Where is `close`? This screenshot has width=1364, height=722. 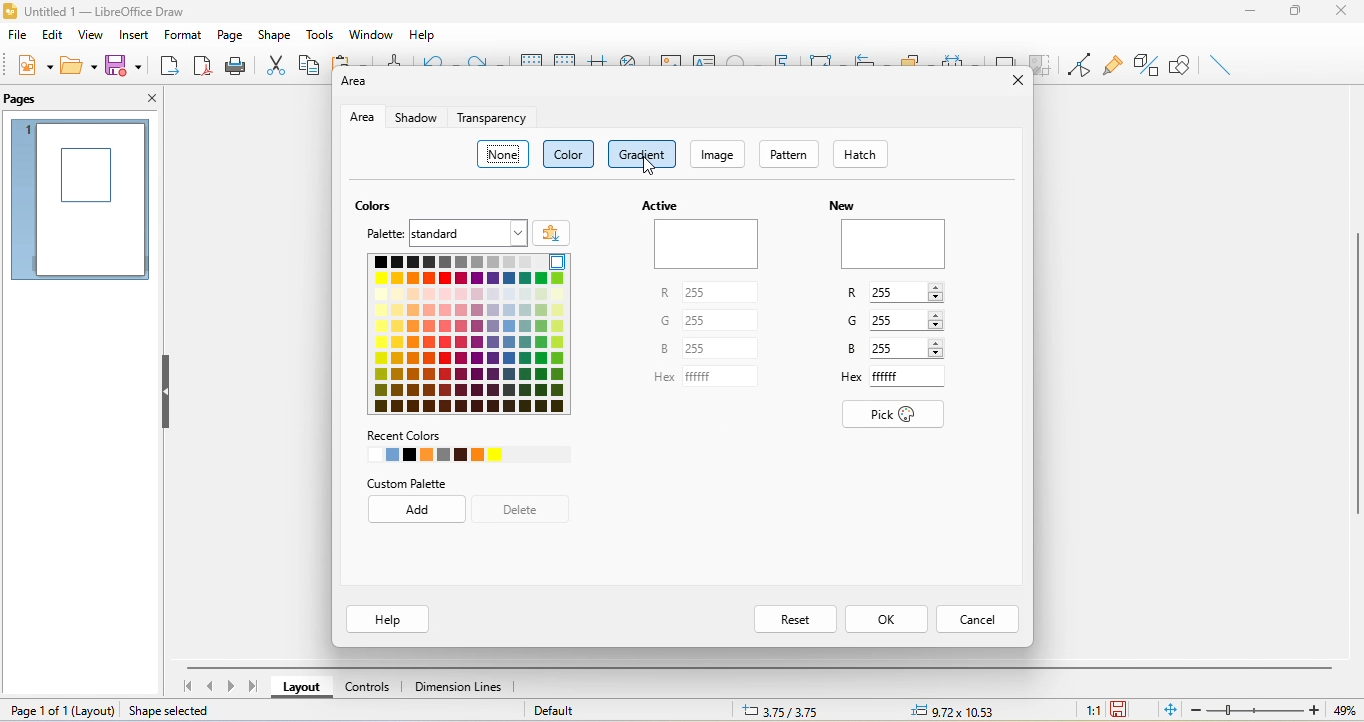 close is located at coordinates (1342, 16).